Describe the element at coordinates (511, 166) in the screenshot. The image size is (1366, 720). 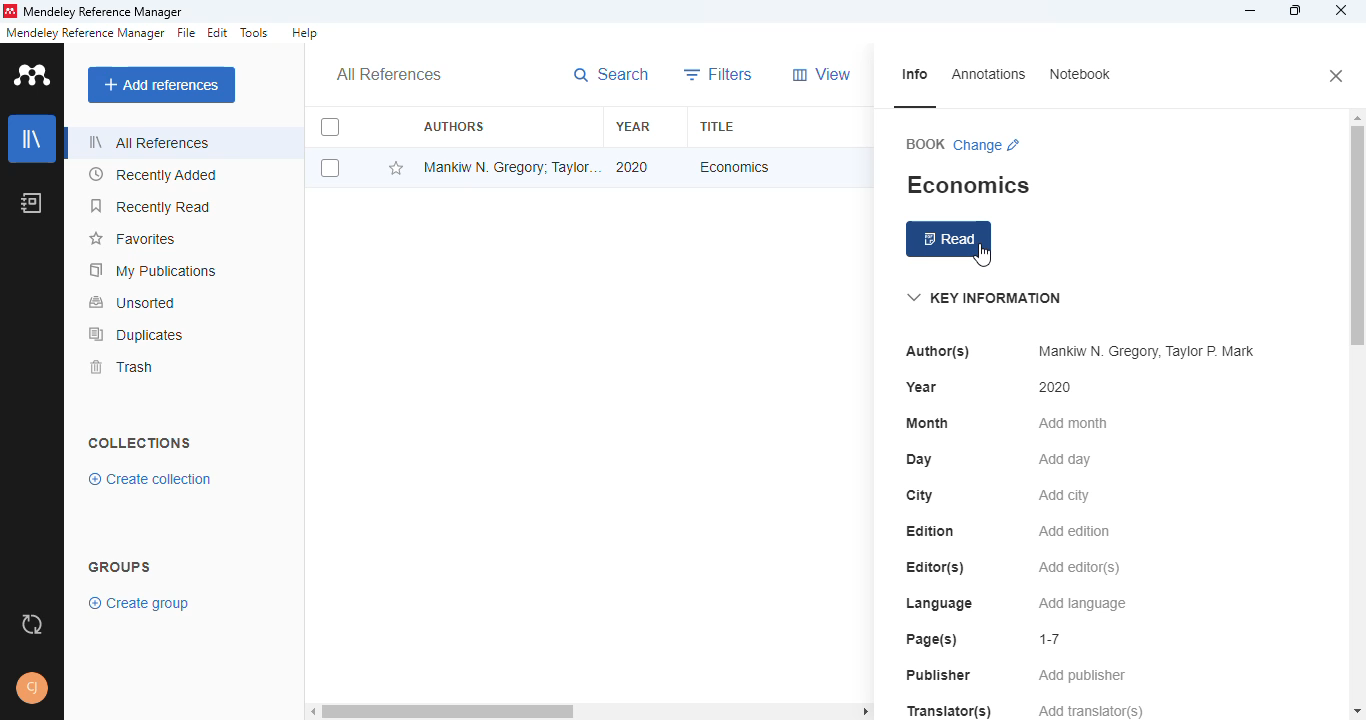
I see `Mankiw N. Gregory; Taylor P. Mark` at that location.